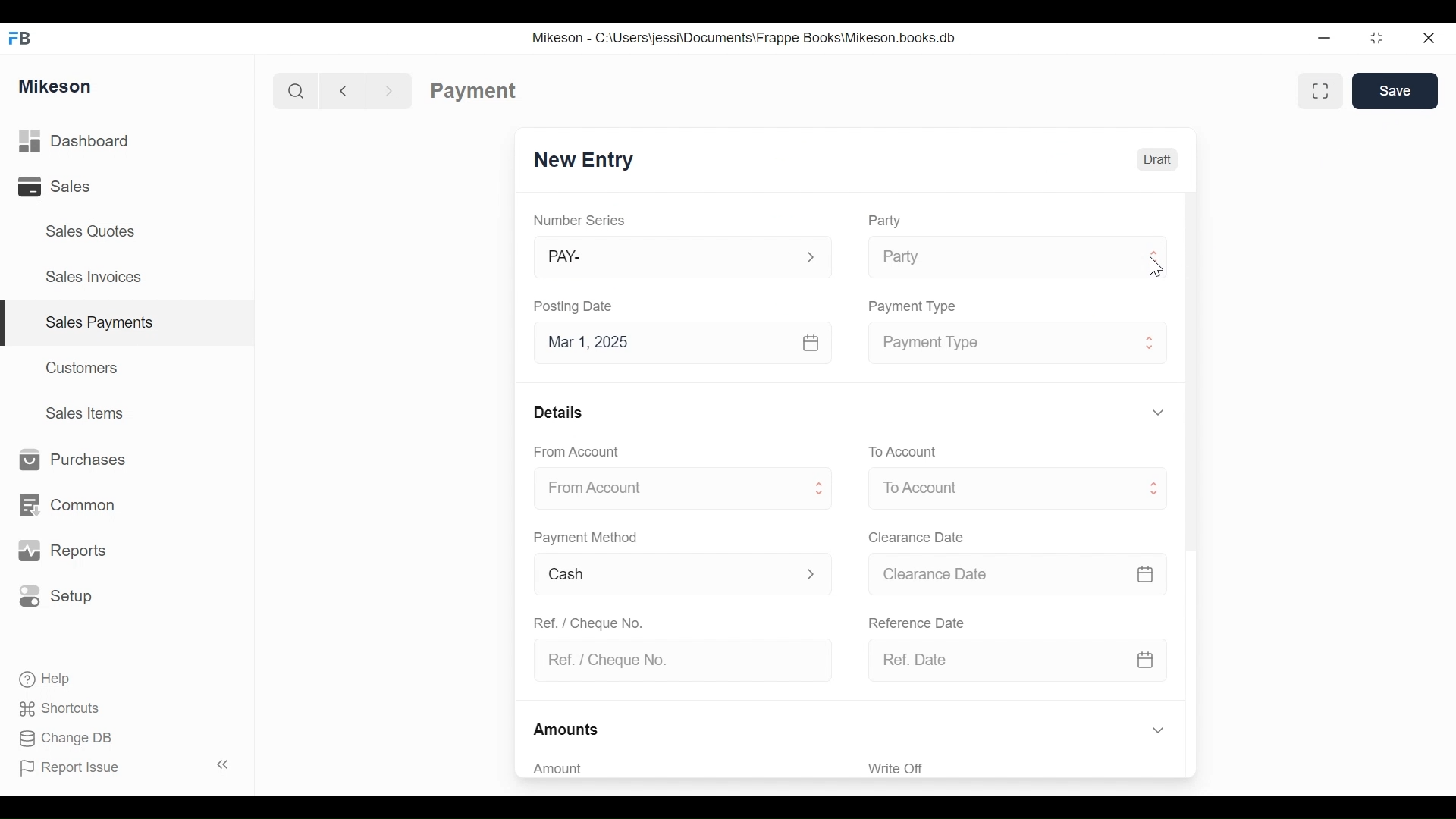 The height and width of the screenshot is (819, 1456). What do you see at coordinates (925, 622) in the screenshot?
I see `Reference date` at bounding box center [925, 622].